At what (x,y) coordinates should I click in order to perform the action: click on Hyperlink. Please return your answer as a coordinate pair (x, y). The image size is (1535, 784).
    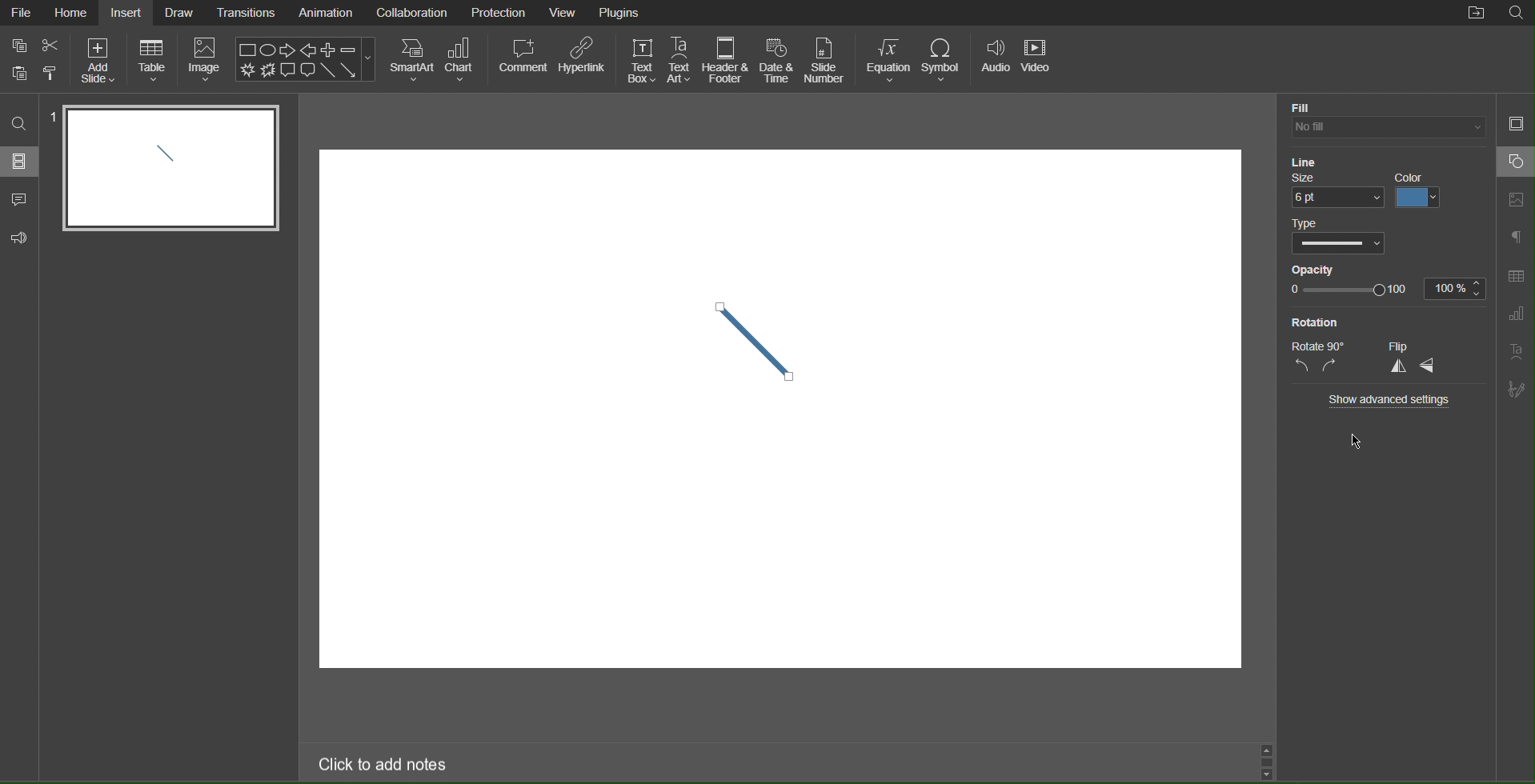
    Looking at the image, I should click on (582, 61).